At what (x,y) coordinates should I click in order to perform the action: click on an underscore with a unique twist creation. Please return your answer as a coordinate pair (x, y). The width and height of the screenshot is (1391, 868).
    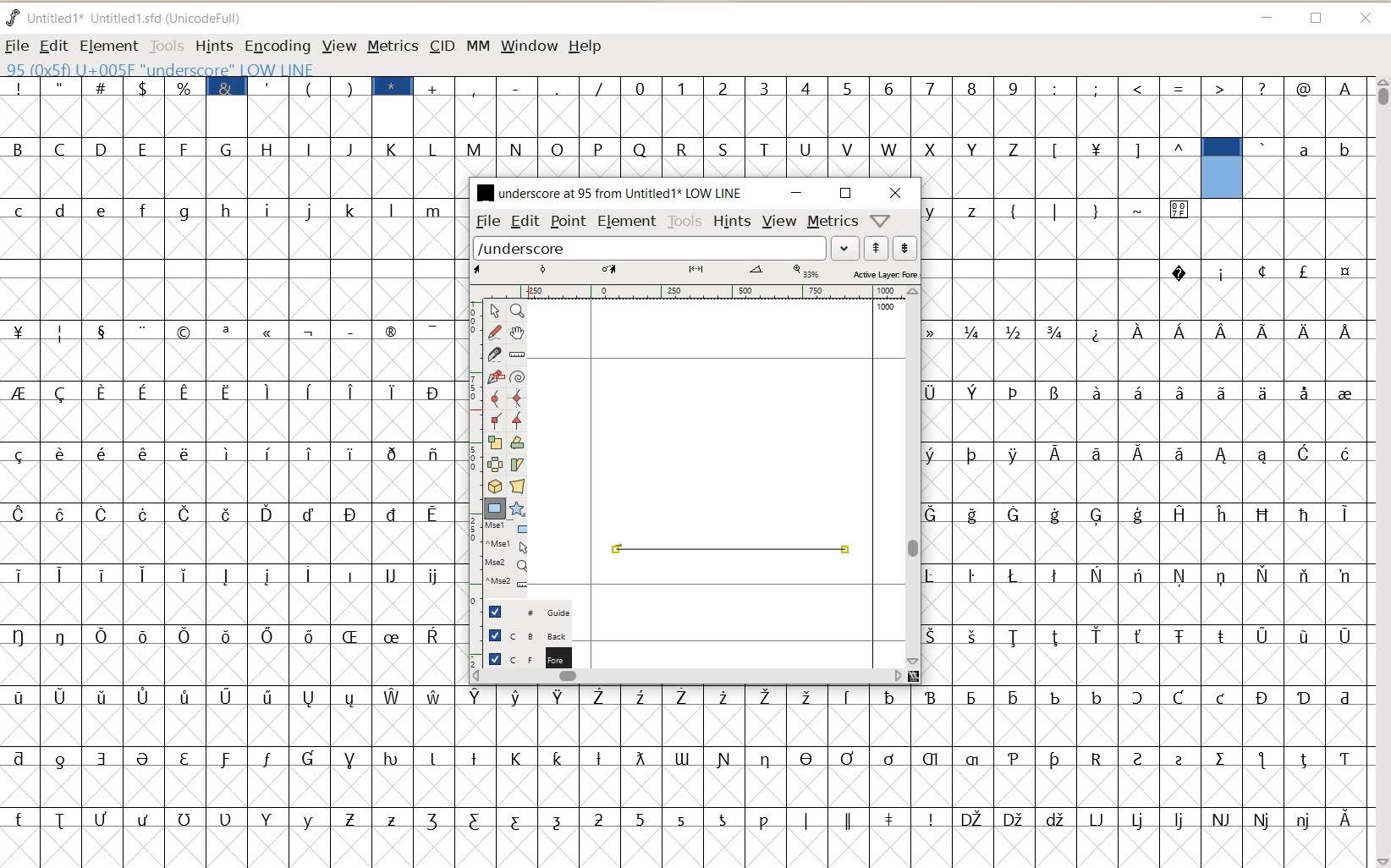
    Looking at the image, I should click on (731, 554).